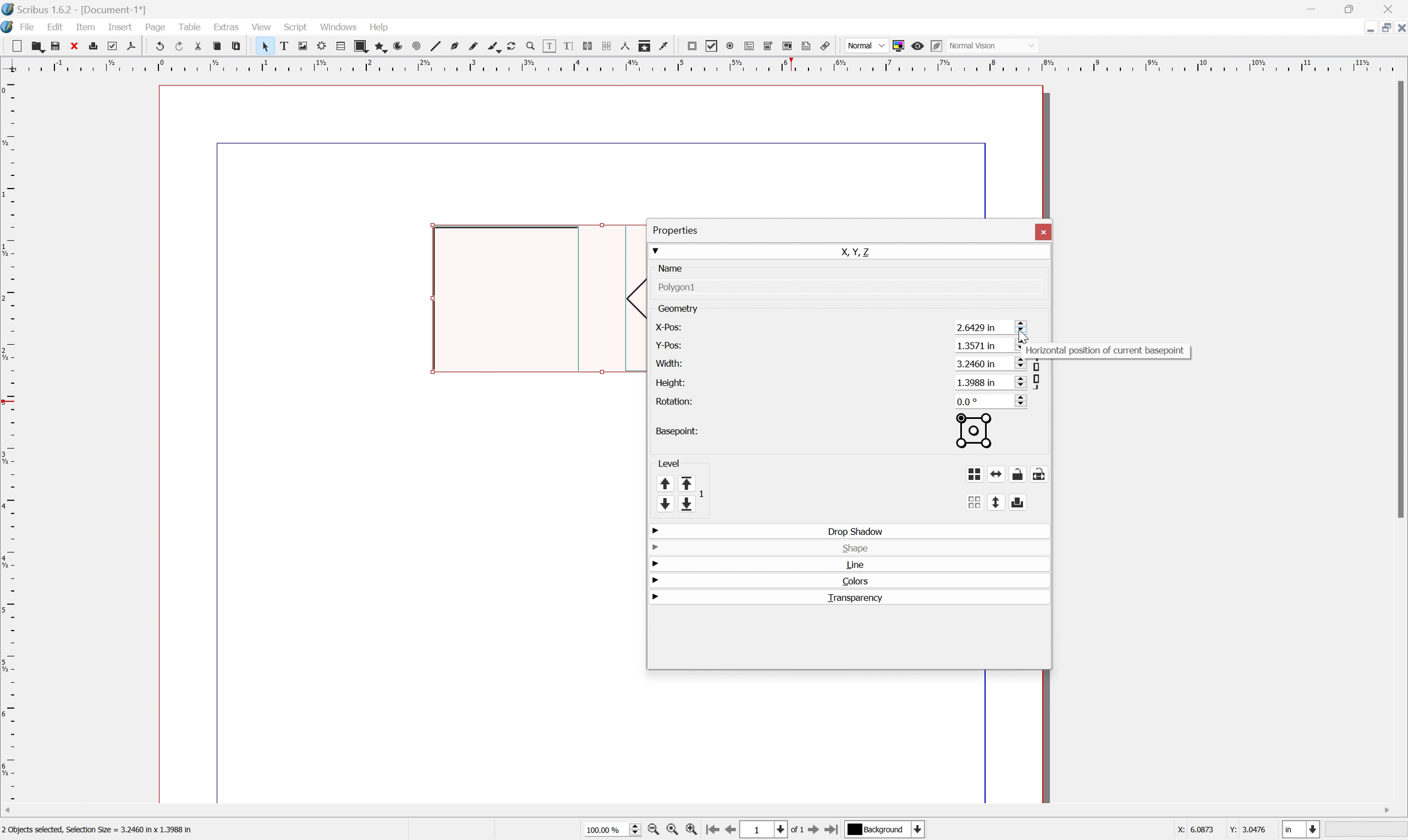  I want to click on line, so click(434, 45).